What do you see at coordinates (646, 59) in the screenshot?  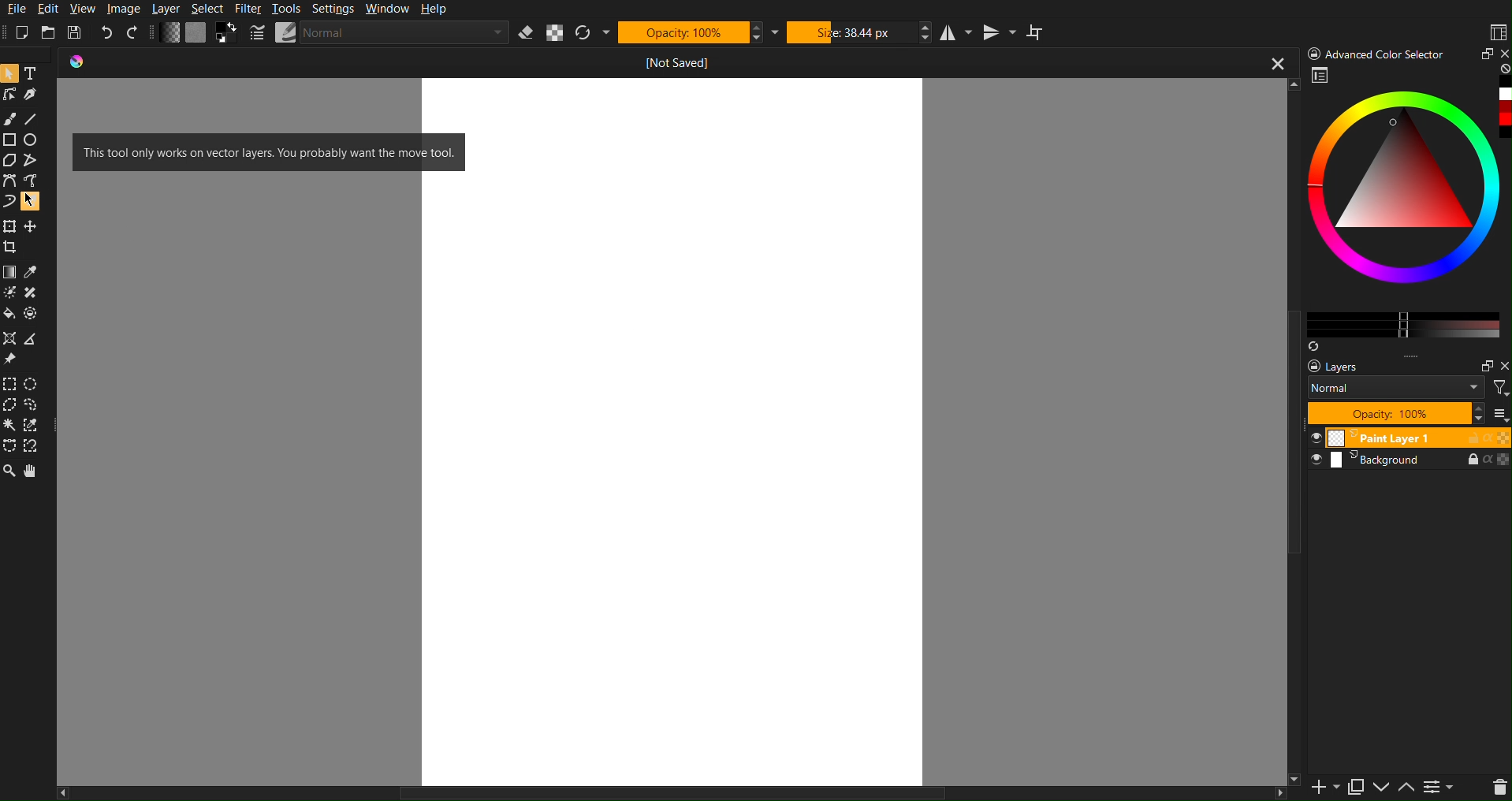 I see `Current Document` at bounding box center [646, 59].